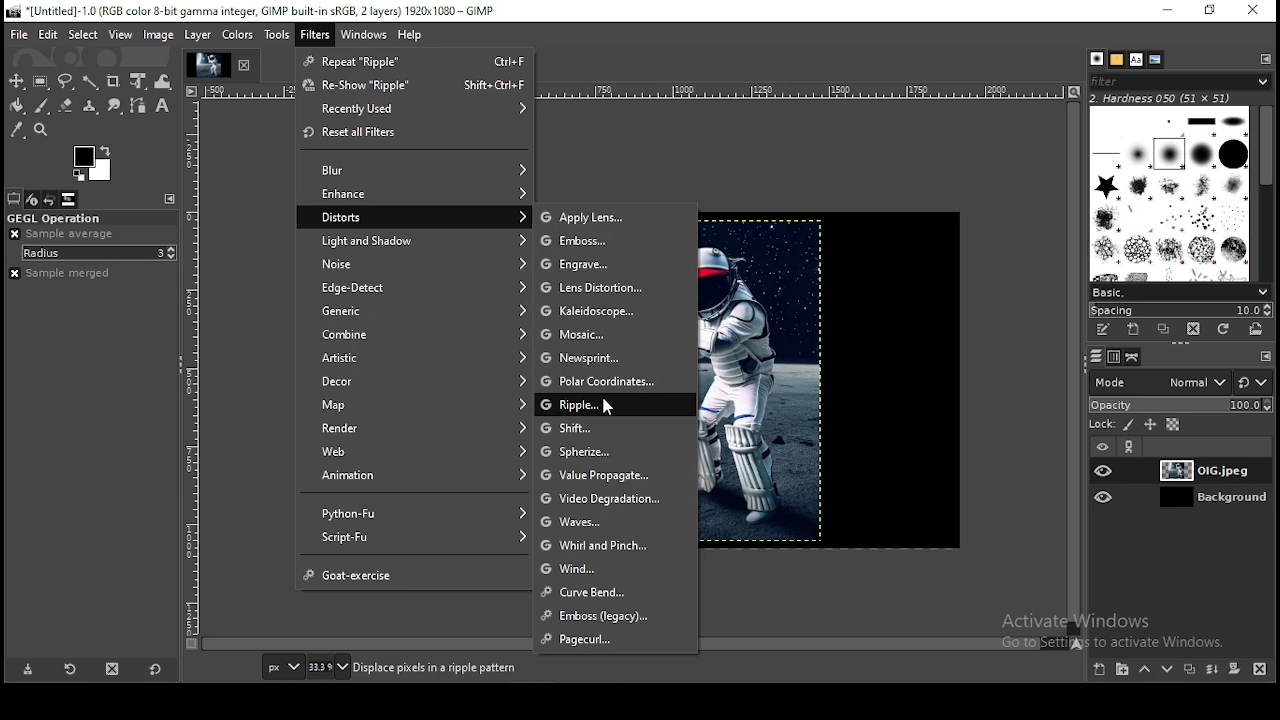  Describe the element at coordinates (1104, 332) in the screenshot. I see `edit this brush` at that location.